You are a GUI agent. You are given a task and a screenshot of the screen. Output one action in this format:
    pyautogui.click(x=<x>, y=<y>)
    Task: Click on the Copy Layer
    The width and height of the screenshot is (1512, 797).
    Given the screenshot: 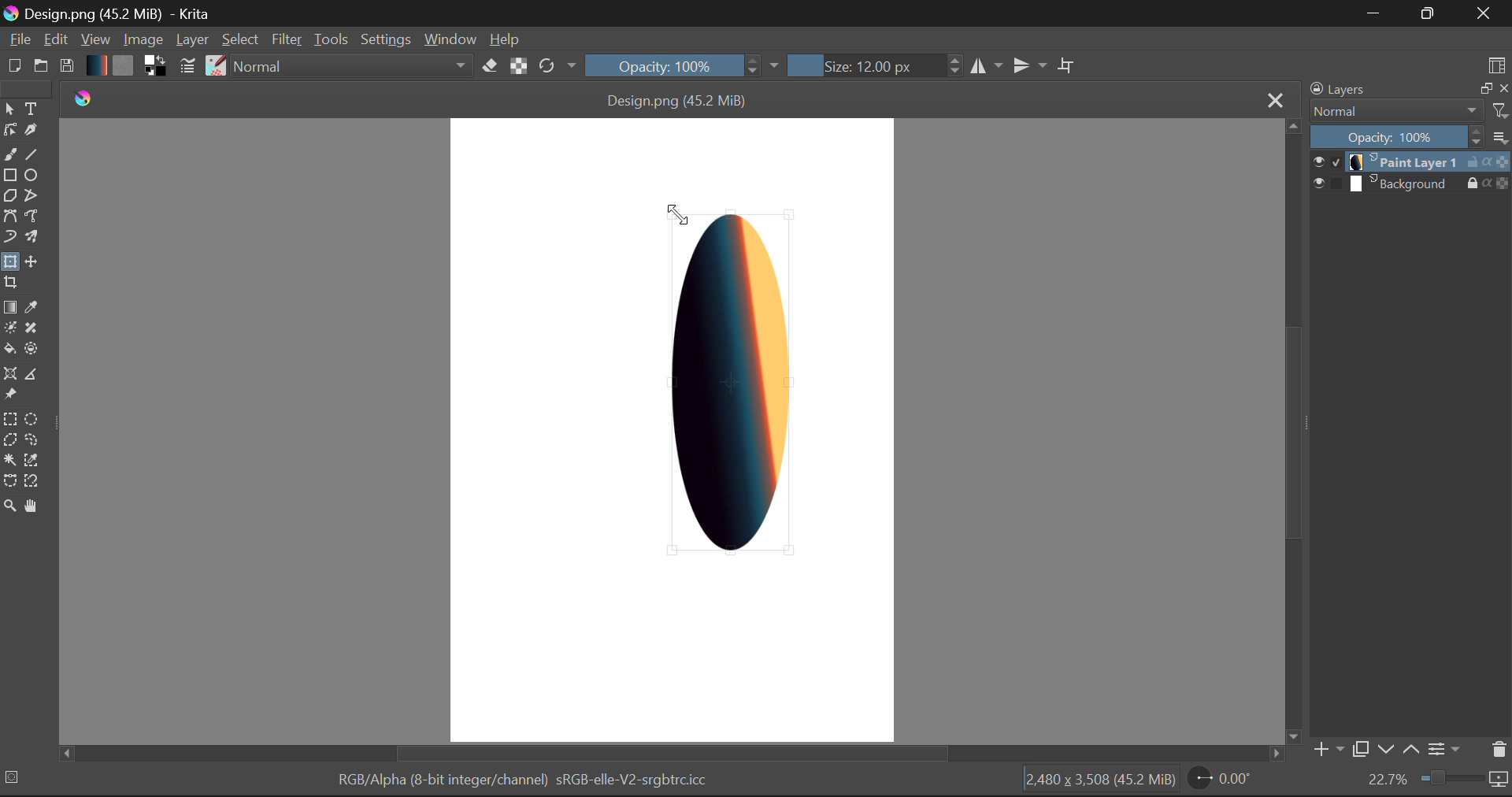 What is the action you would take?
    pyautogui.click(x=1359, y=749)
    